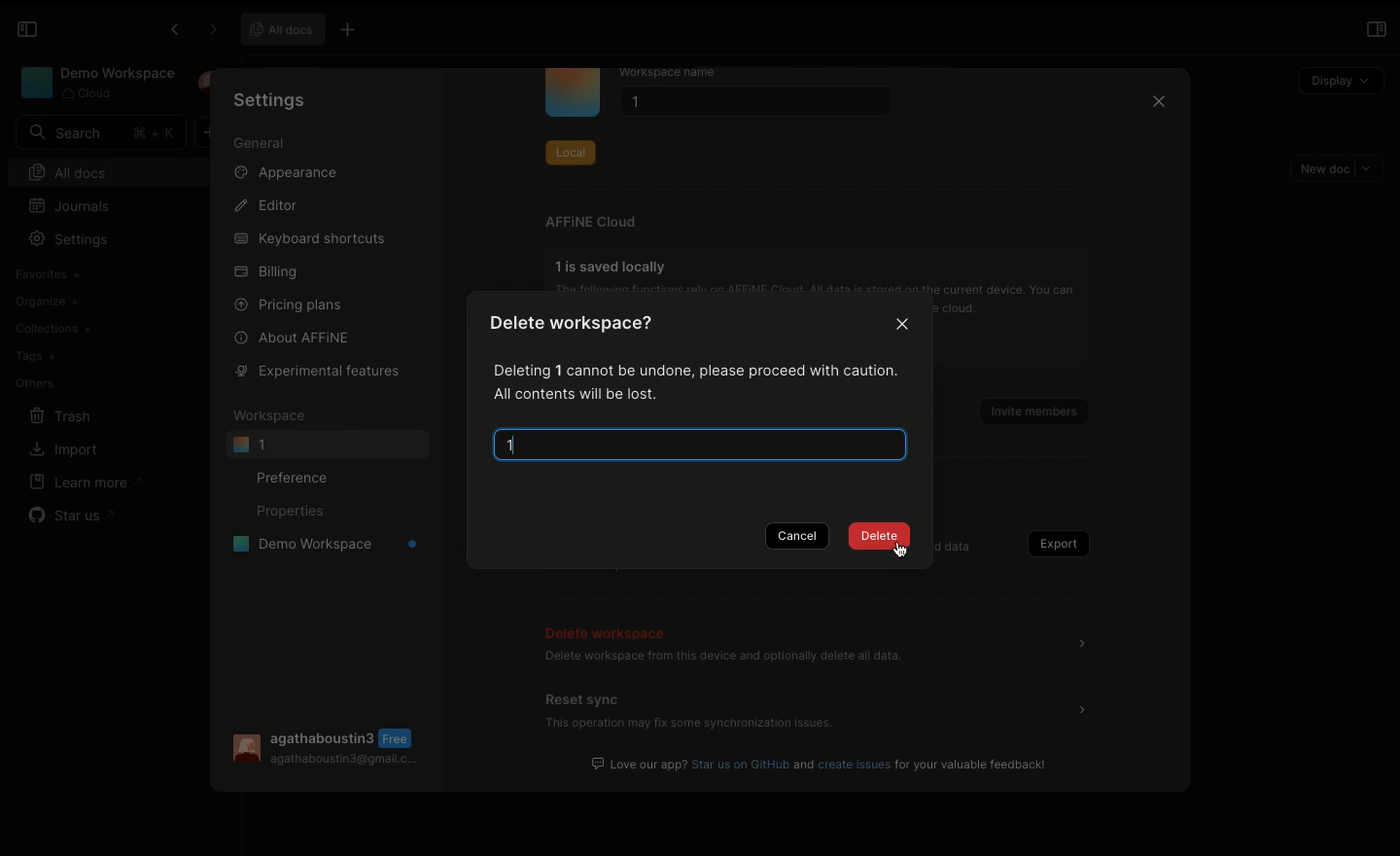  I want to click on Accordion, so click(1082, 709).